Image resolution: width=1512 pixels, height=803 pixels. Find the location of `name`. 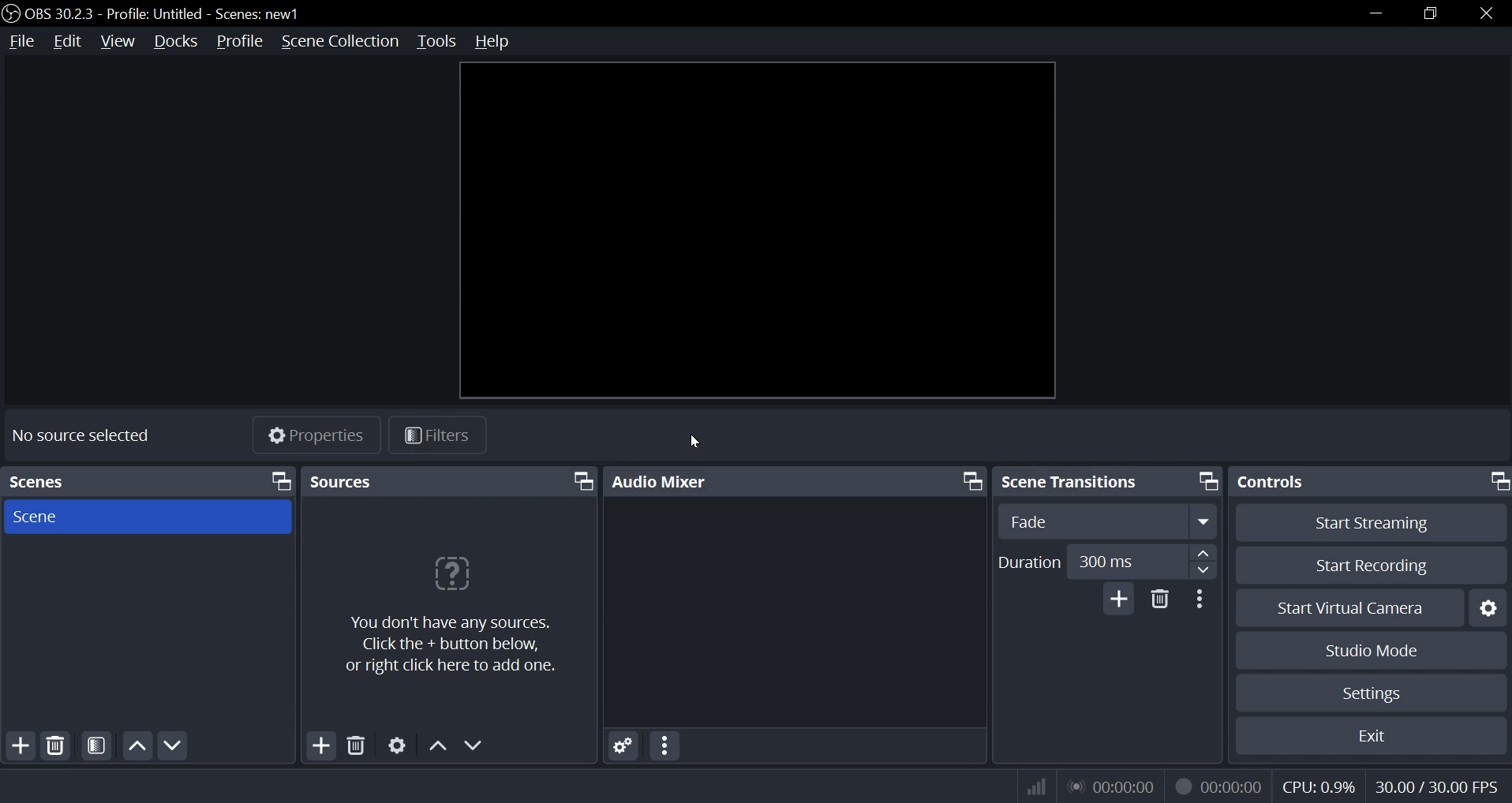

name is located at coordinates (263, 15).